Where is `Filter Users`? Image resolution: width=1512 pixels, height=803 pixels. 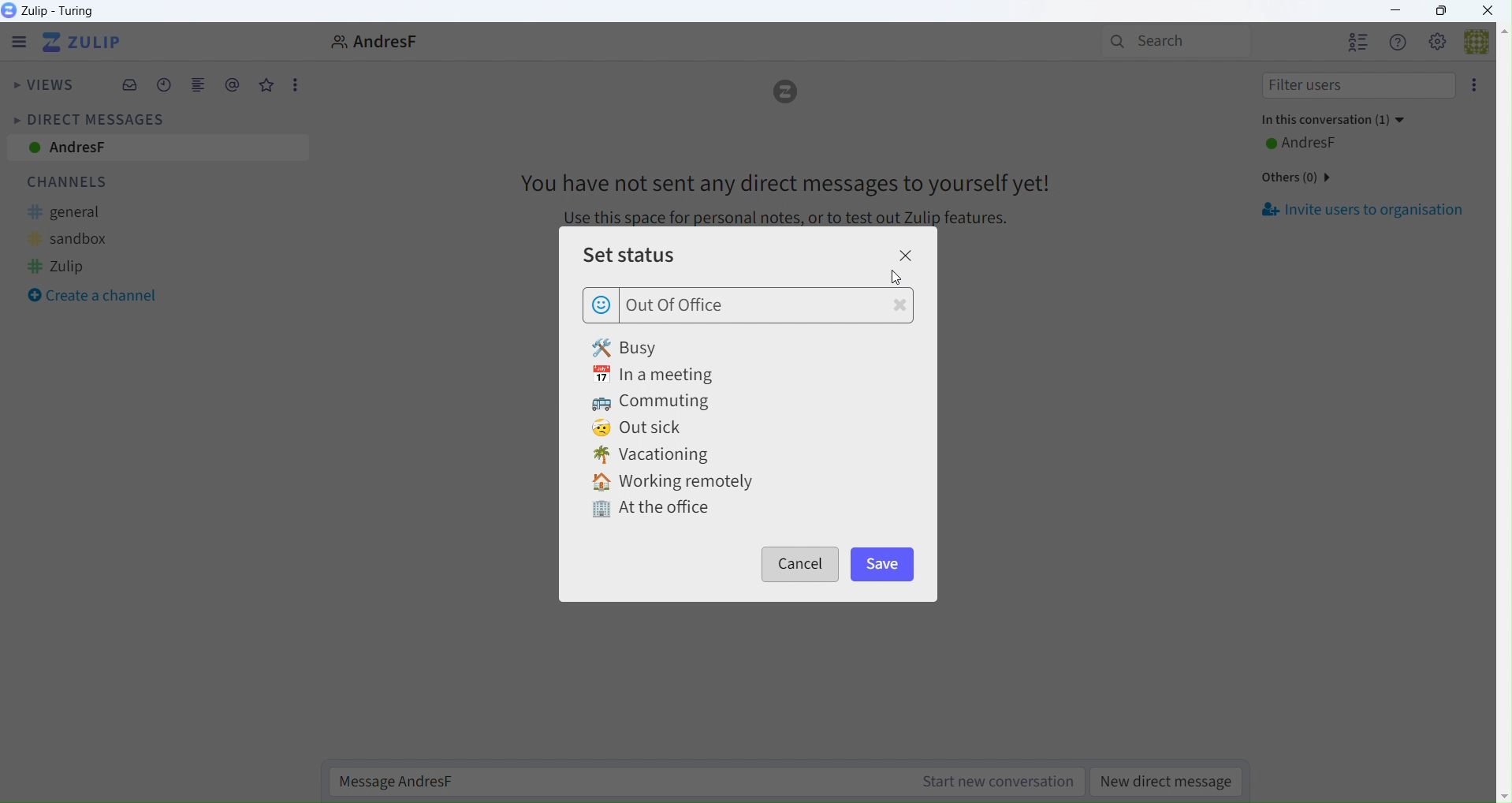 Filter Users is located at coordinates (1353, 87).